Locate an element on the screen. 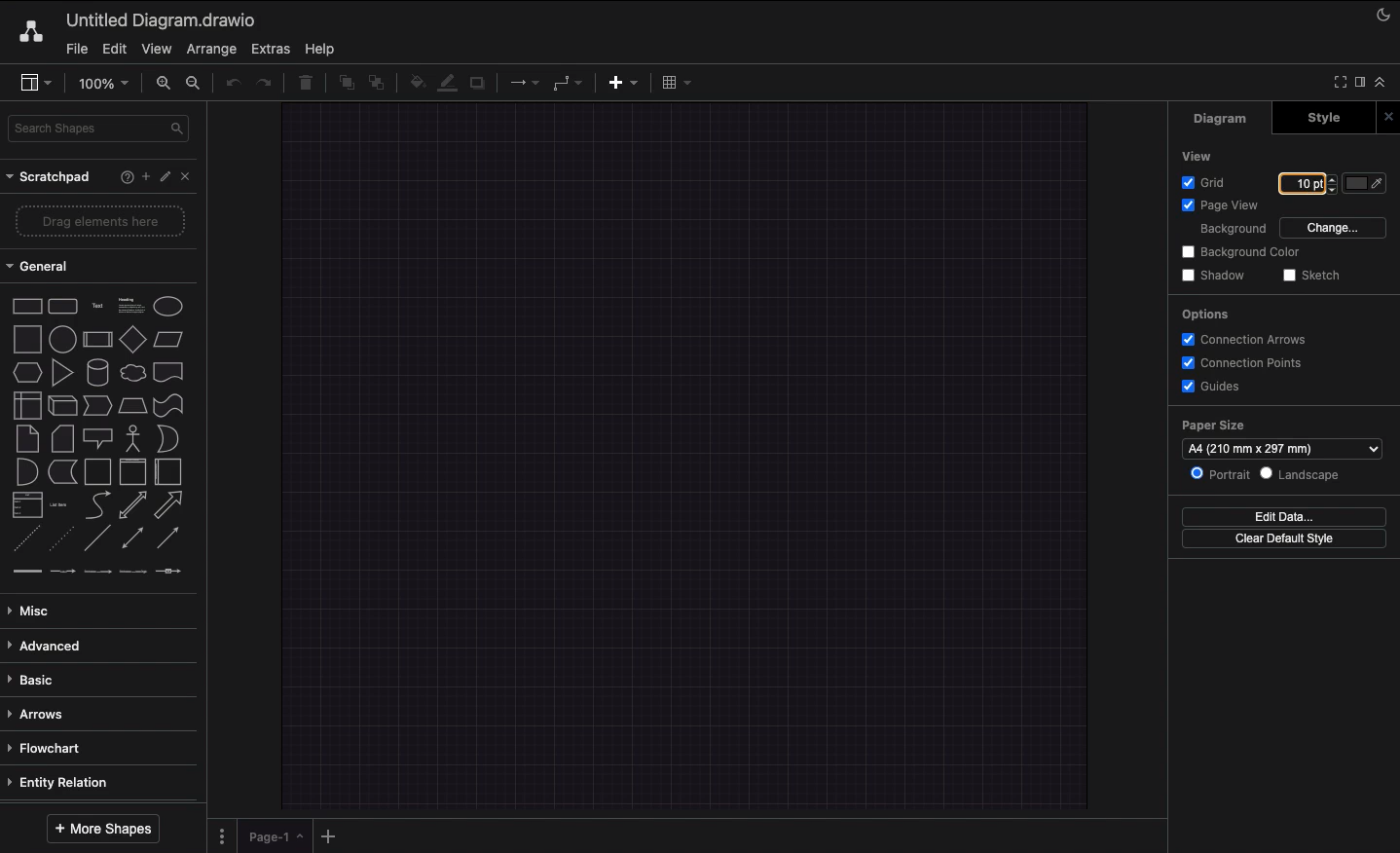 The width and height of the screenshot is (1400, 853). Style is located at coordinates (1315, 119).